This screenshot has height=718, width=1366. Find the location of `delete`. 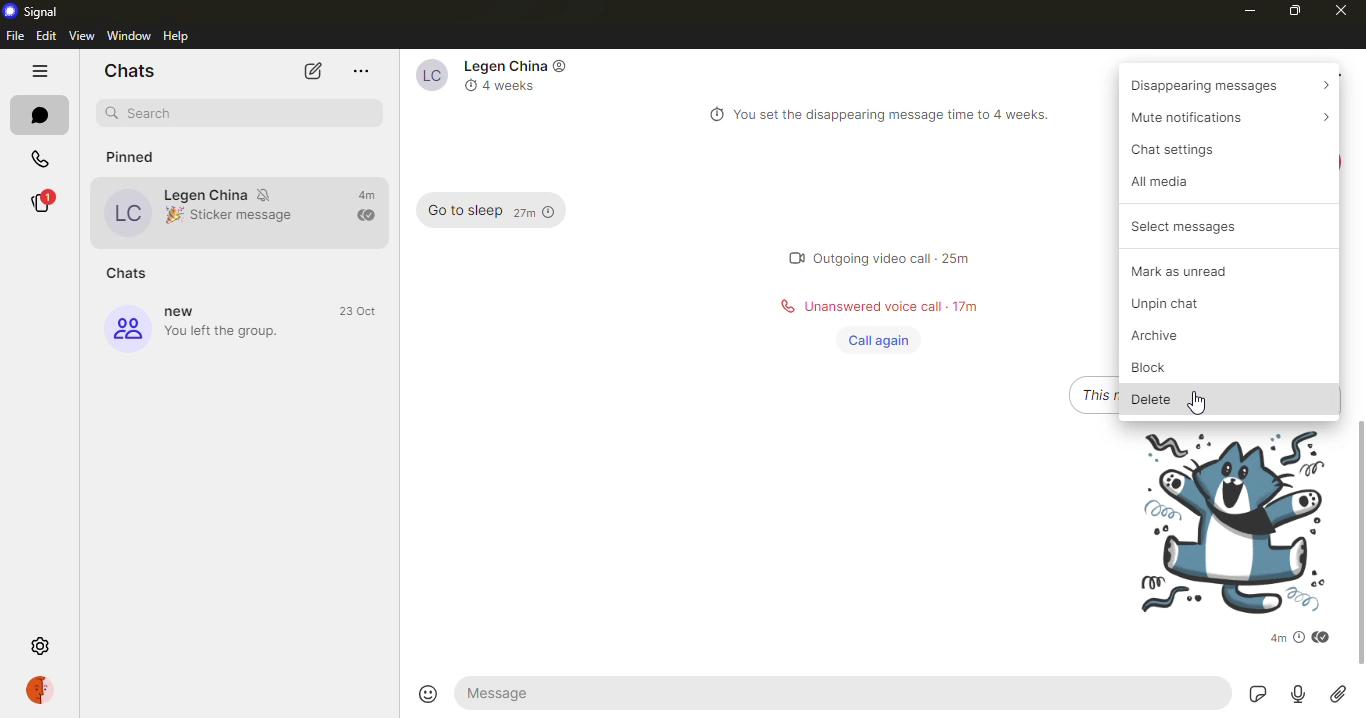

delete is located at coordinates (1147, 399).